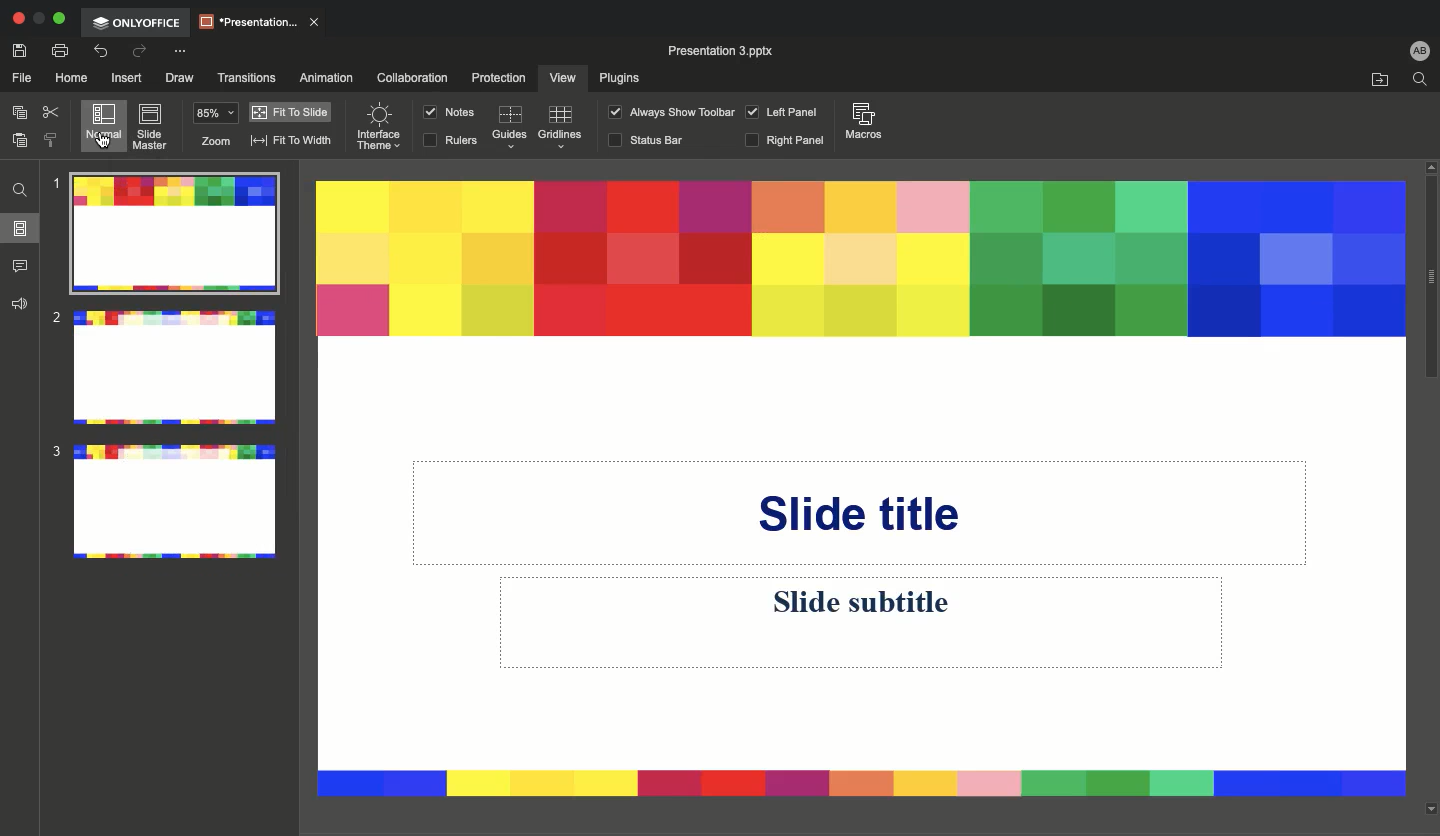 The height and width of the screenshot is (836, 1440). Describe the element at coordinates (291, 140) in the screenshot. I see `Fit to width` at that location.